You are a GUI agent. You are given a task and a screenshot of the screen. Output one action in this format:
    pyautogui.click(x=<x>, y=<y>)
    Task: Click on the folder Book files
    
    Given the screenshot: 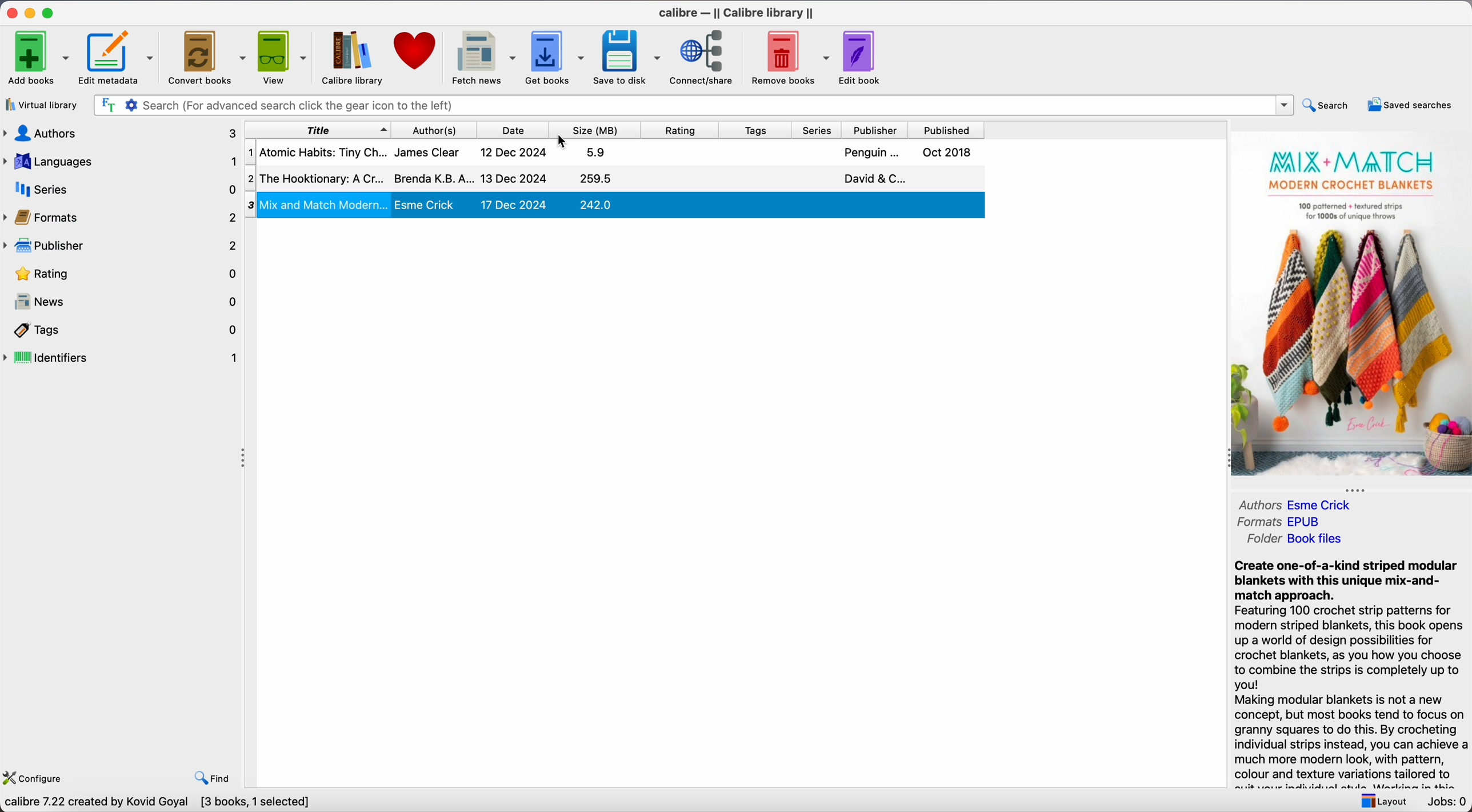 What is the action you would take?
    pyautogui.click(x=1296, y=539)
    